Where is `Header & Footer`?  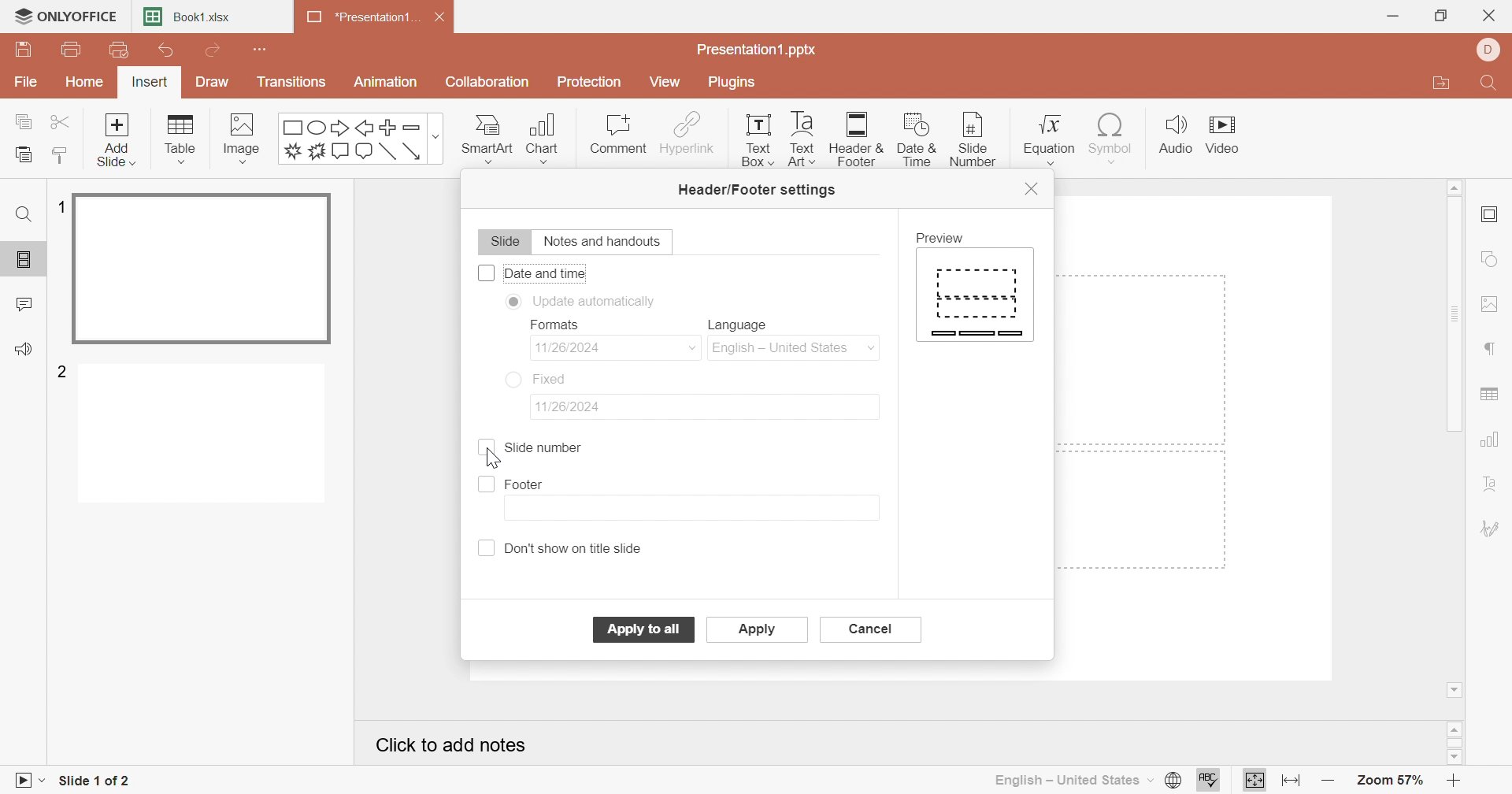
Header & Footer is located at coordinates (858, 141).